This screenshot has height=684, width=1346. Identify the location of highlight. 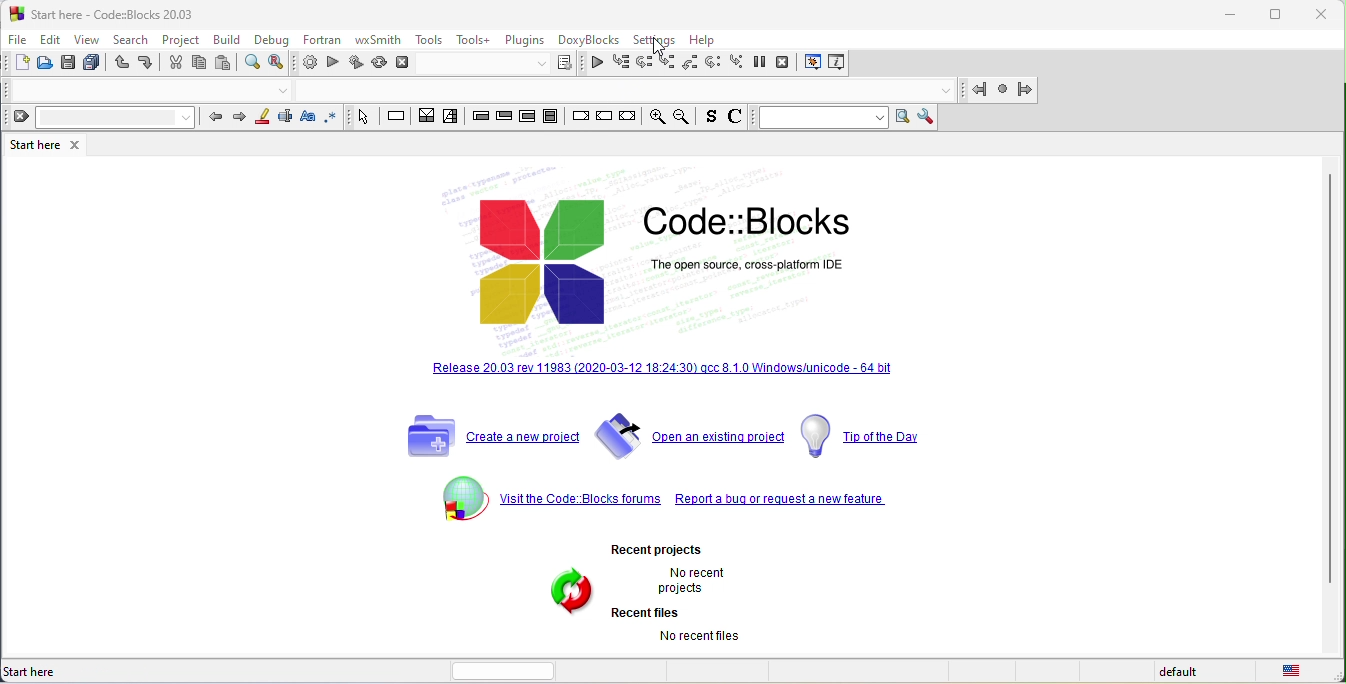
(268, 118).